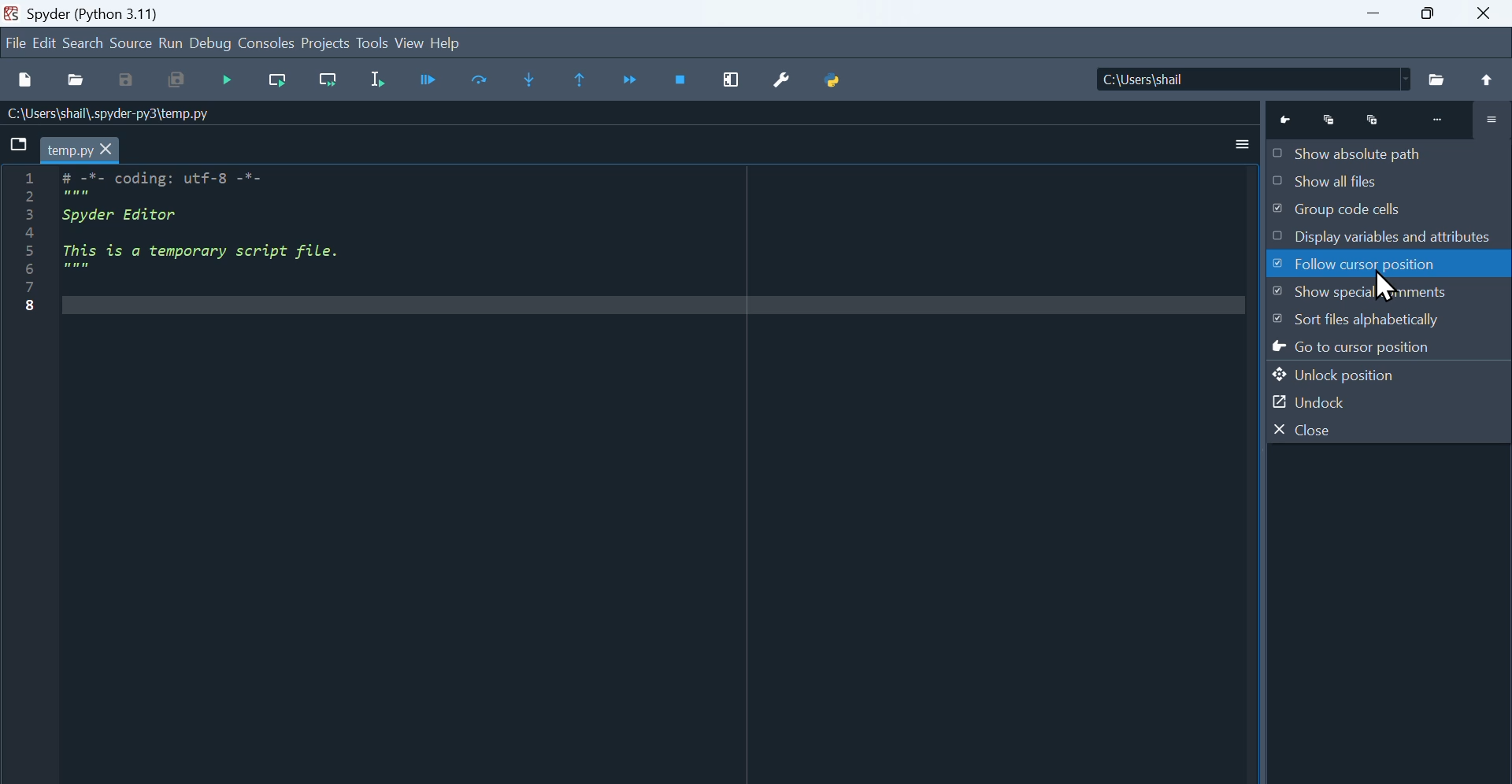 The height and width of the screenshot is (784, 1512). What do you see at coordinates (212, 43) in the screenshot?
I see `Debug` at bounding box center [212, 43].